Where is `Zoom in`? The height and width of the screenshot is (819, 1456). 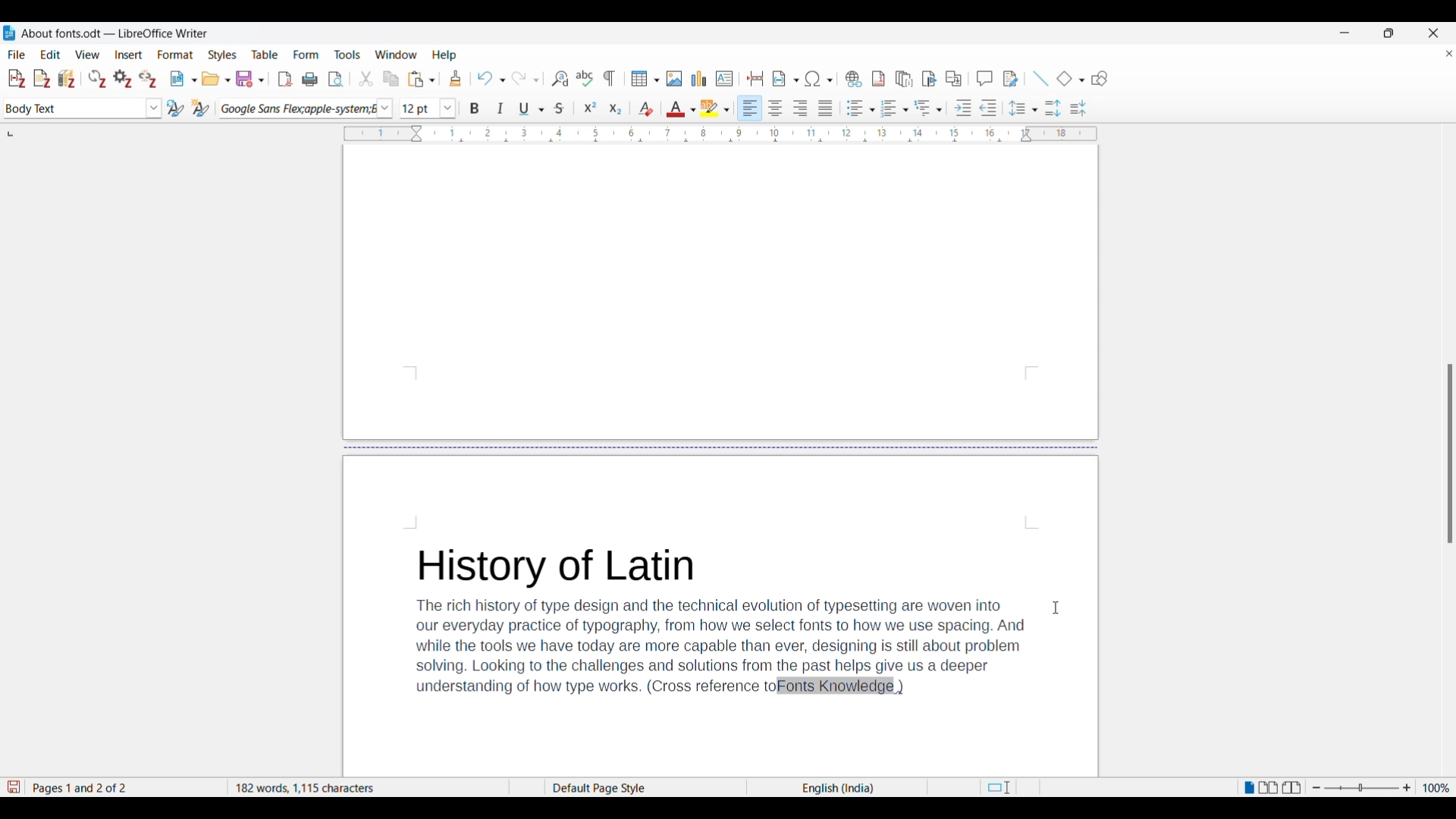 Zoom in is located at coordinates (1407, 789).